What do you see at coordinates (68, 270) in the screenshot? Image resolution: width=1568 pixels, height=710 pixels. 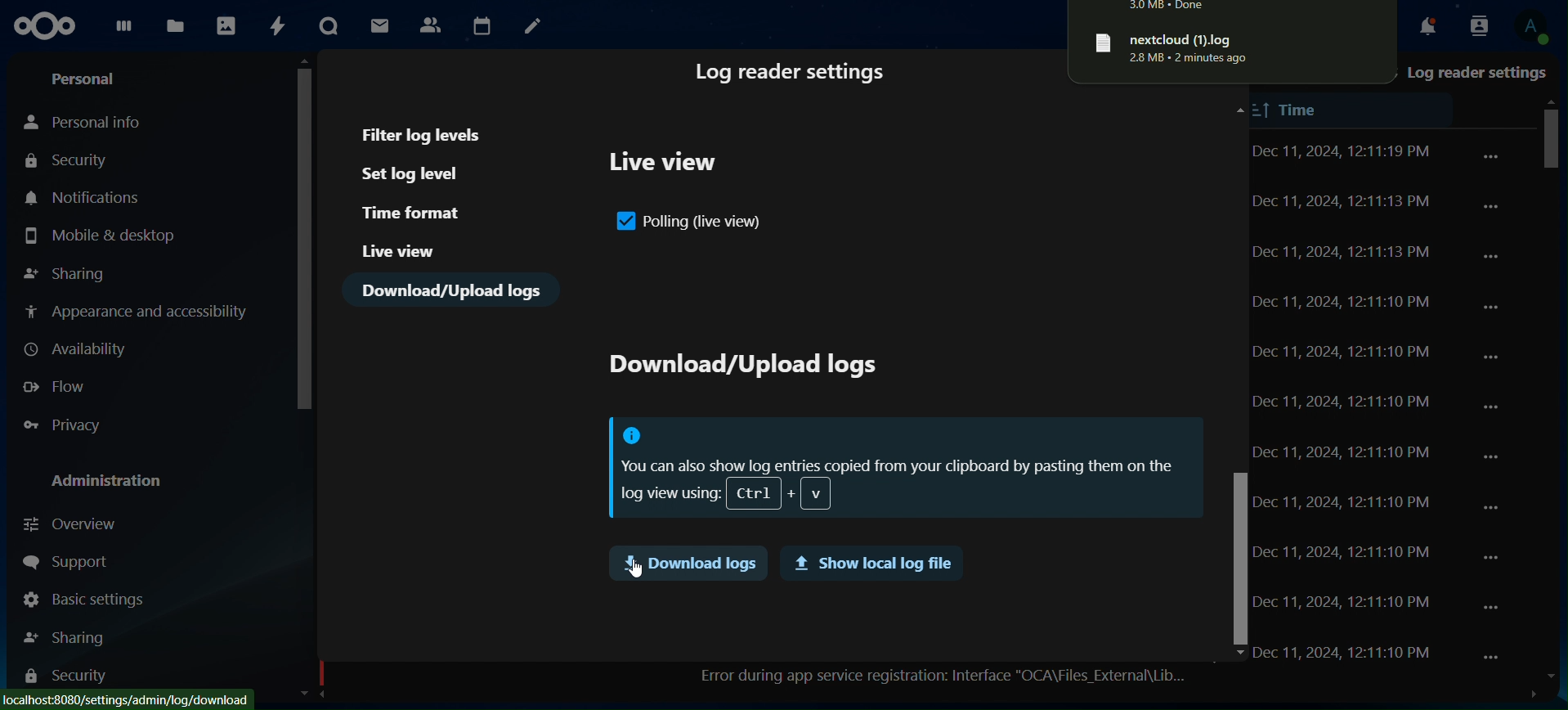 I see `sharing` at bounding box center [68, 270].